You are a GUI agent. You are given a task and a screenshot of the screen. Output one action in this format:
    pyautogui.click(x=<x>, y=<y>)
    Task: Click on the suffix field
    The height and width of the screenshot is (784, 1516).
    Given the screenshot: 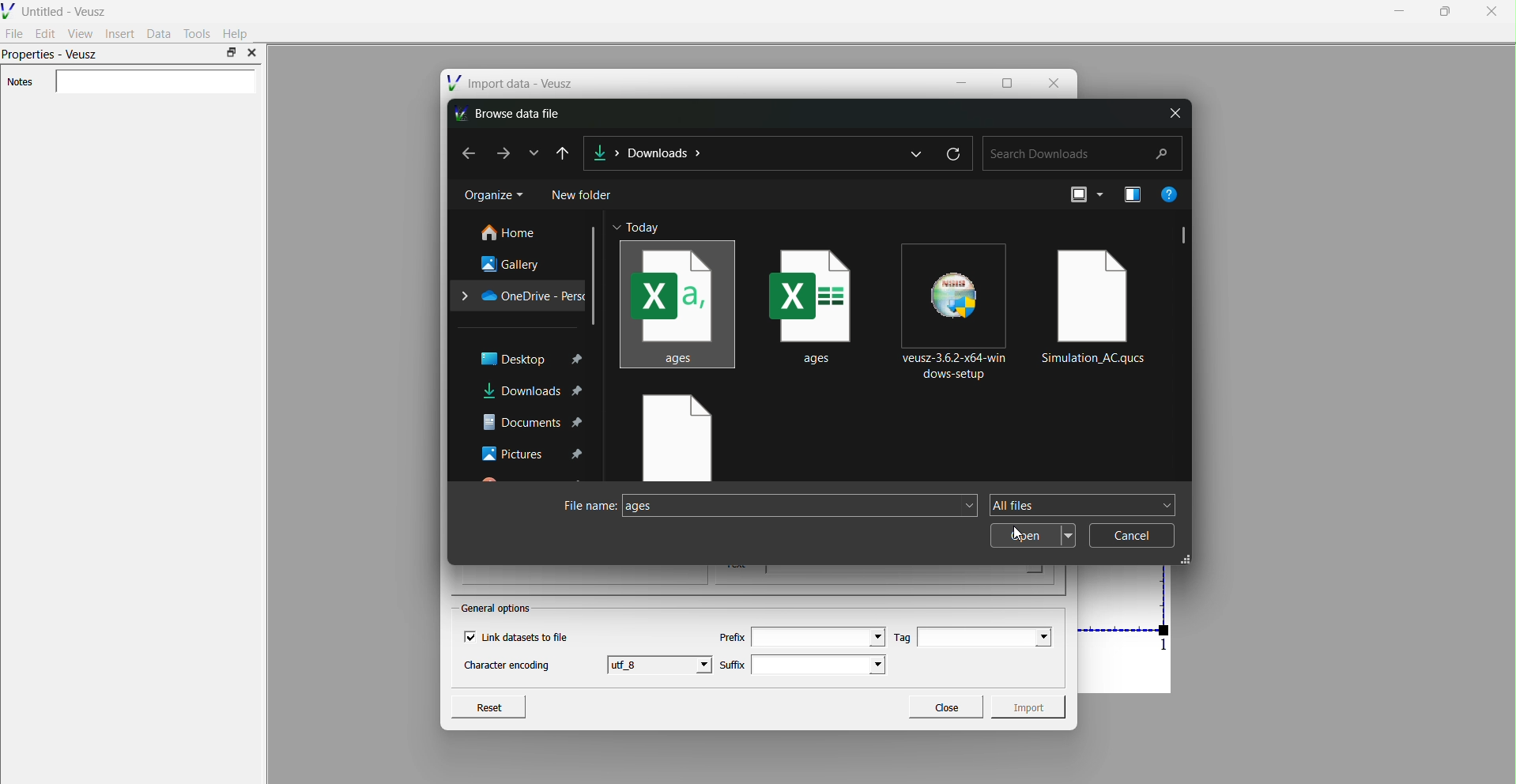 What is the action you would take?
    pyautogui.click(x=820, y=665)
    